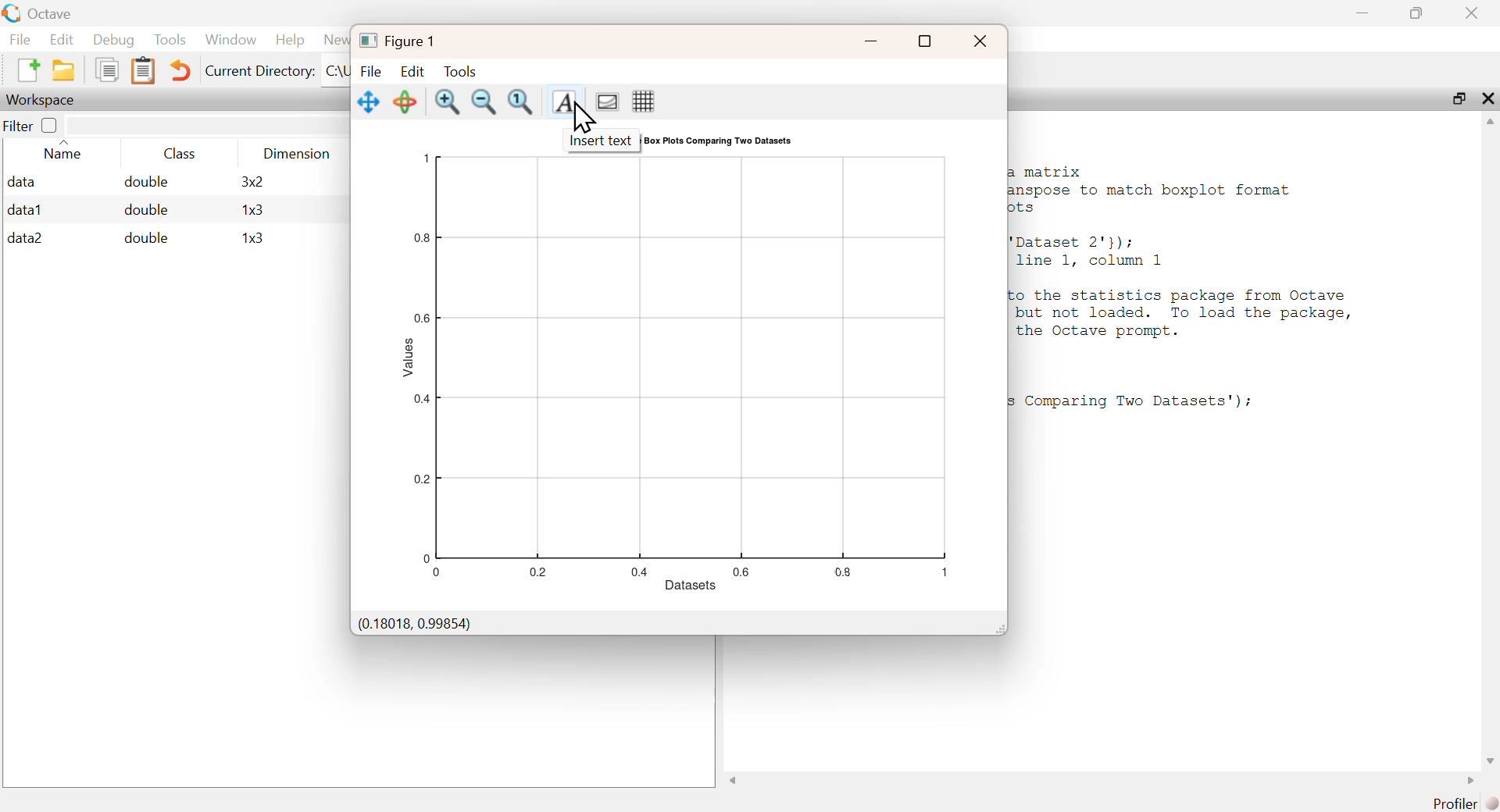 This screenshot has height=812, width=1500. What do you see at coordinates (602, 141) in the screenshot?
I see `Insert text` at bounding box center [602, 141].